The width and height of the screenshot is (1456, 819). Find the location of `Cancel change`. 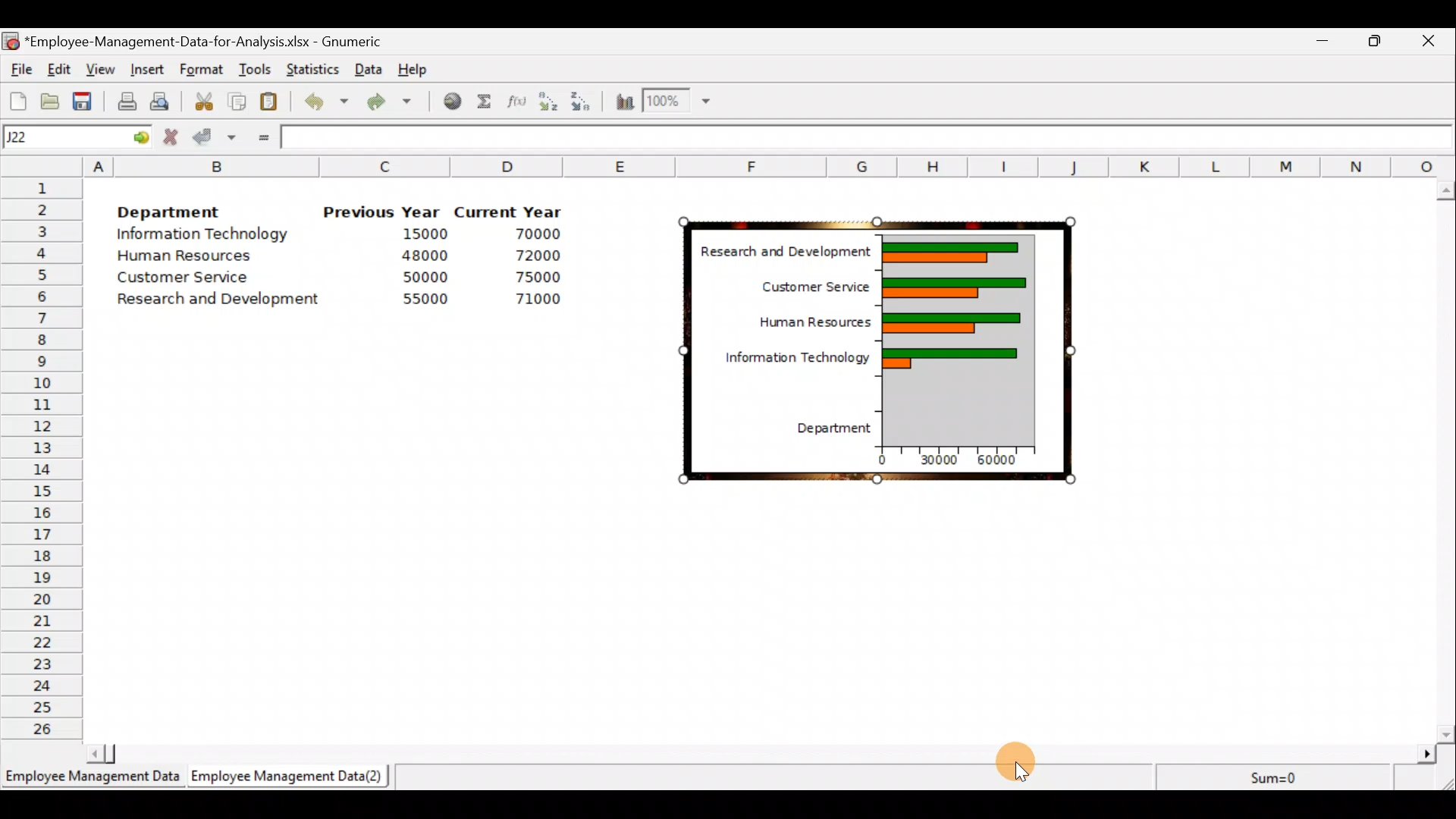

Cancel change is located at coordinates (172, 137).